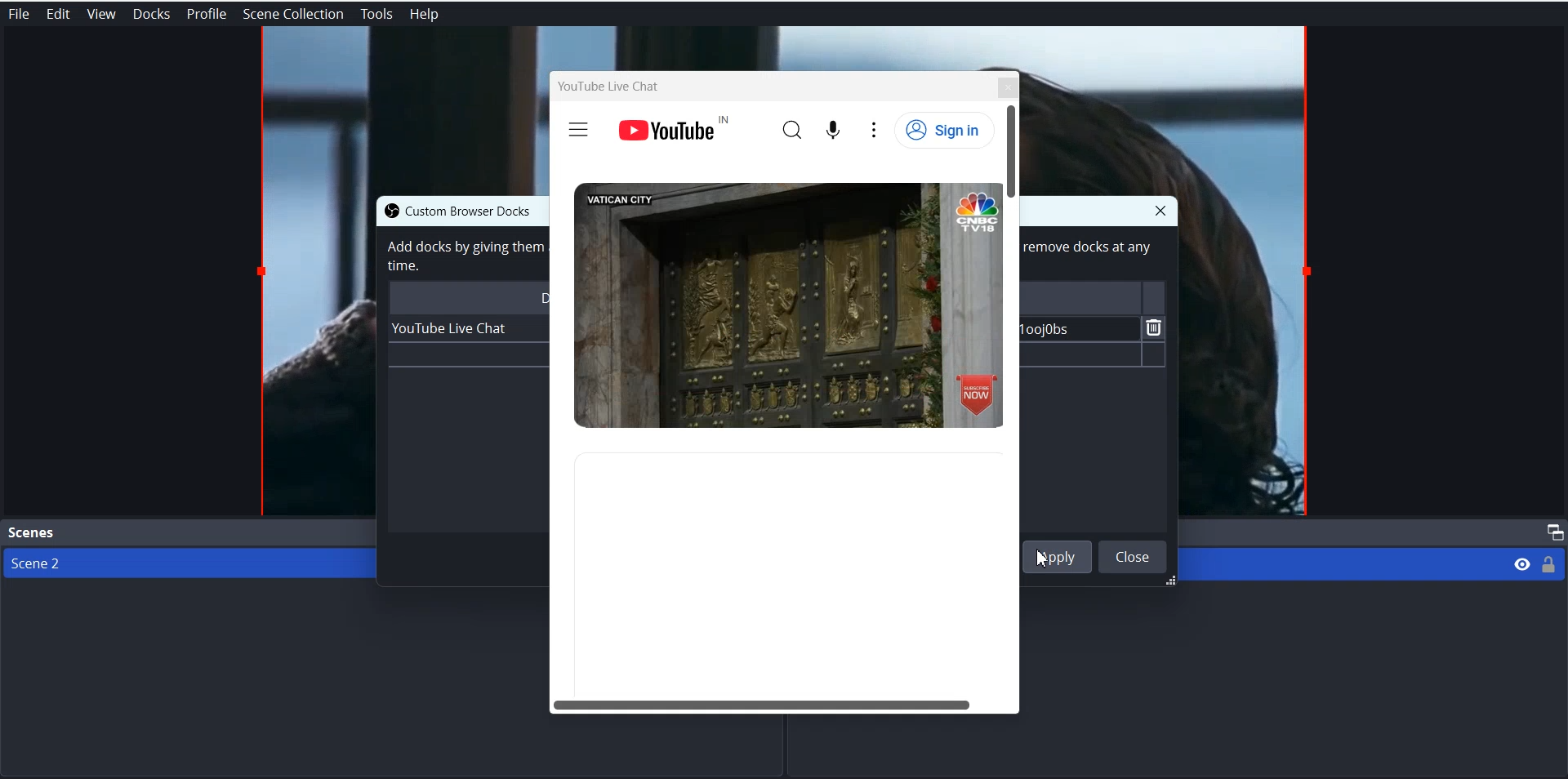 This screenshot has height=779, width=1568. What do you see at coordinates (207, 14) in the screenshot?
I see `Profile` at bounding box center [207, 14].